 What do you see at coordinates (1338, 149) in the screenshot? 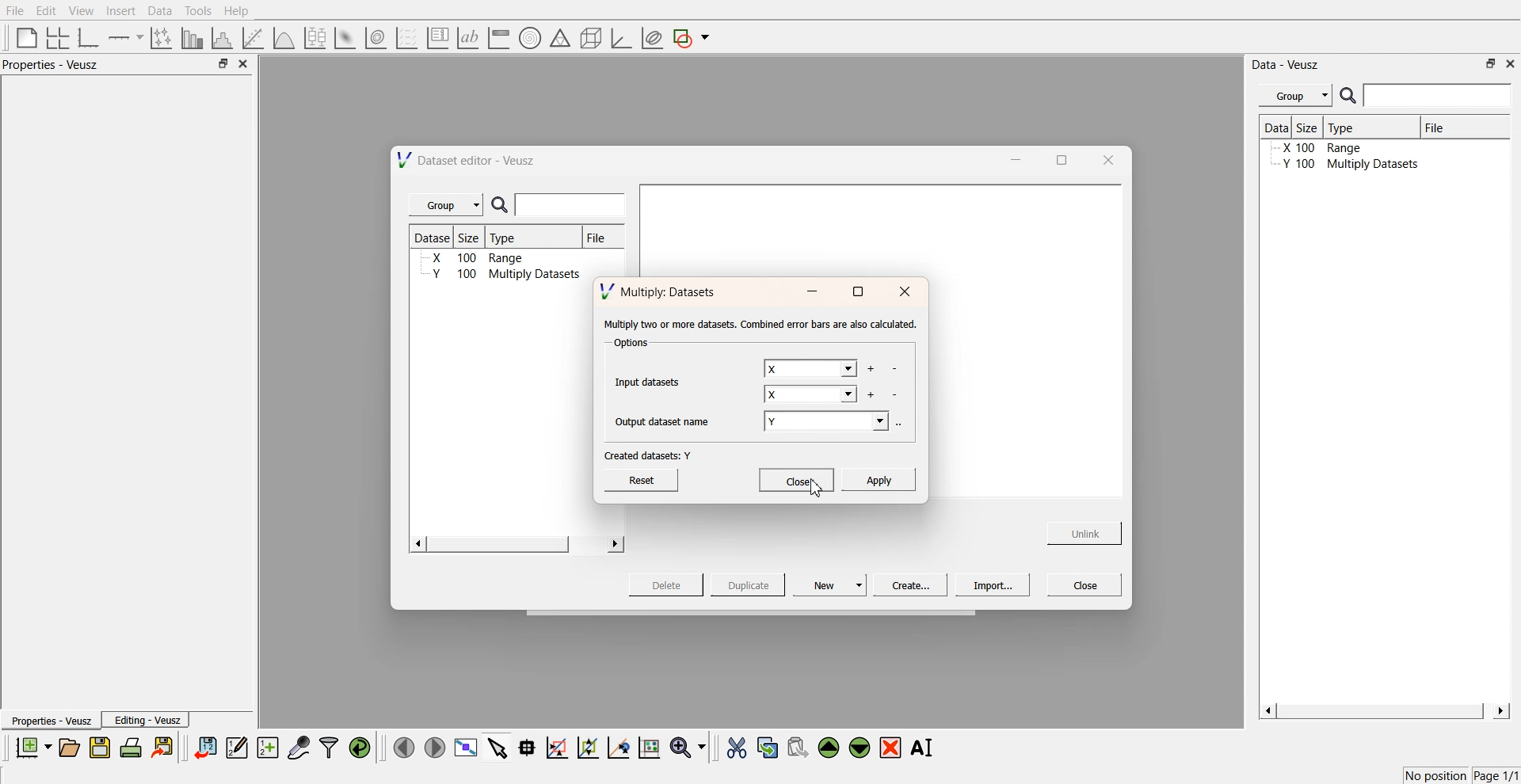
I see `X 100 Range` at bounding box center [1338, 149].